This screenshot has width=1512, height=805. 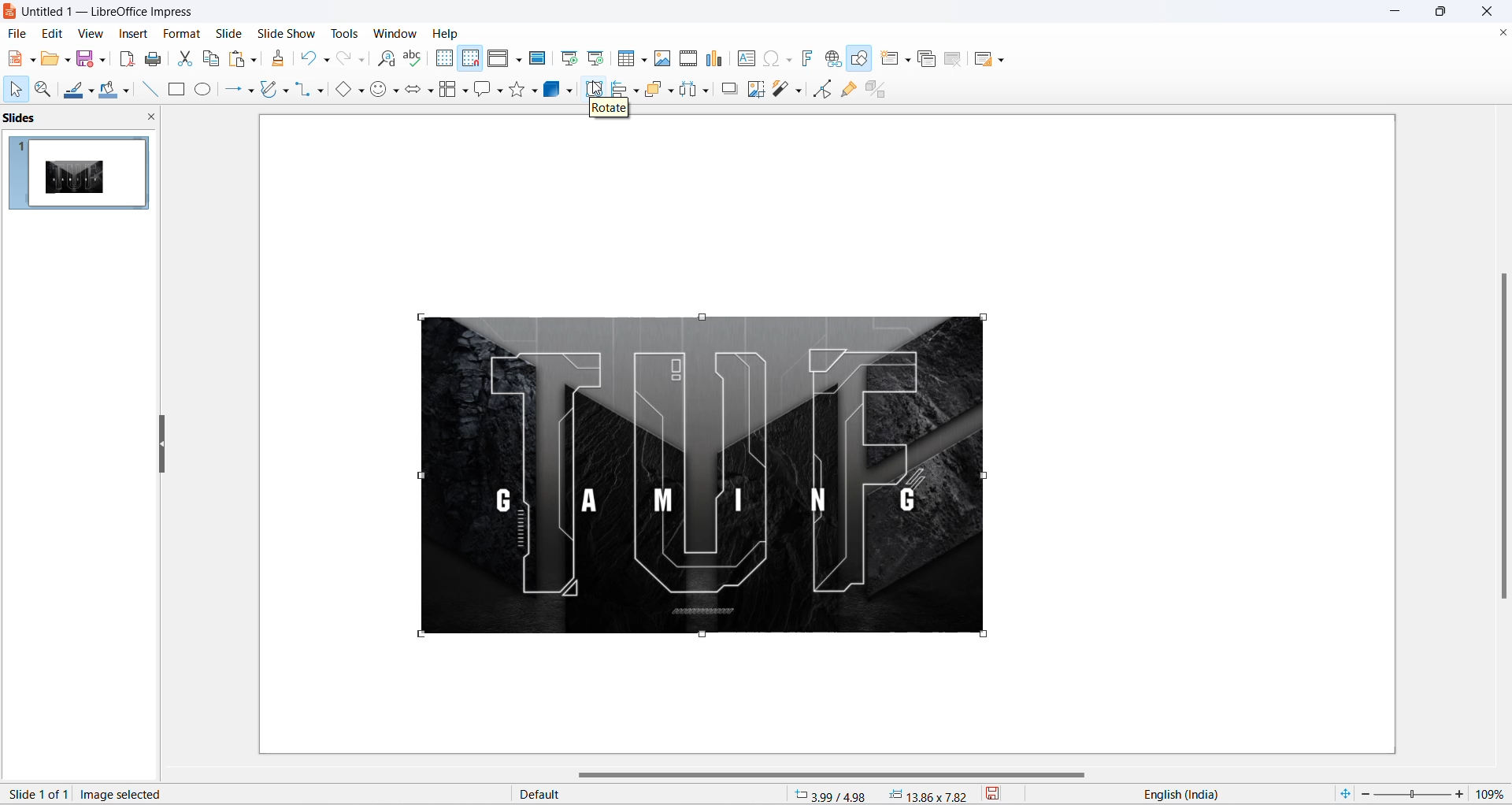 I want to click on flow chart options, so click(x=465, y=92).